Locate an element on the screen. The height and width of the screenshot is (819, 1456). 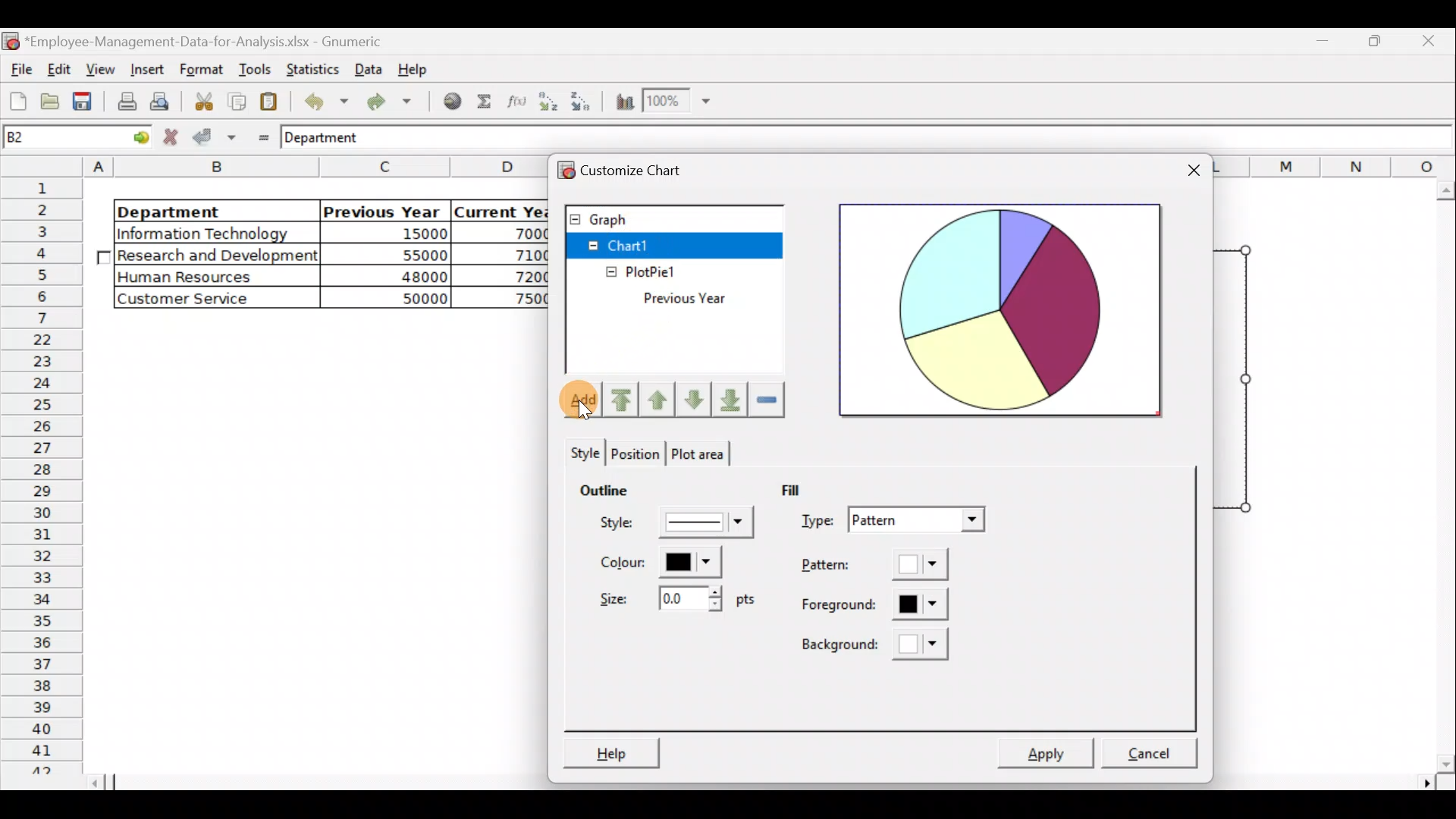
Data is located at coordinates (368, 67).